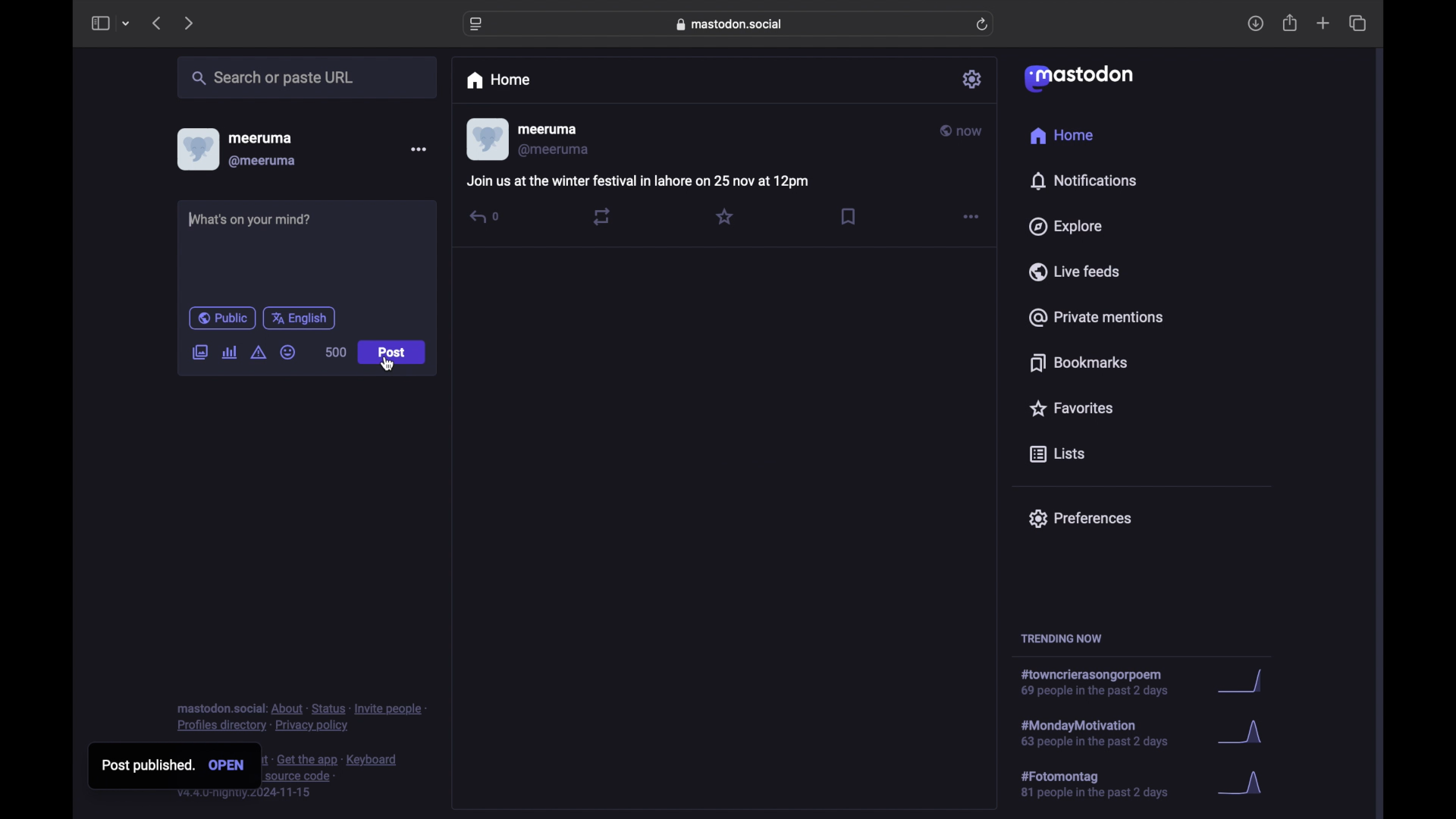 The height and width of the screenshot is (819, 1456). Describe the element at coordinates (152, 765) in the screenshot. I see `post published.` at that location.